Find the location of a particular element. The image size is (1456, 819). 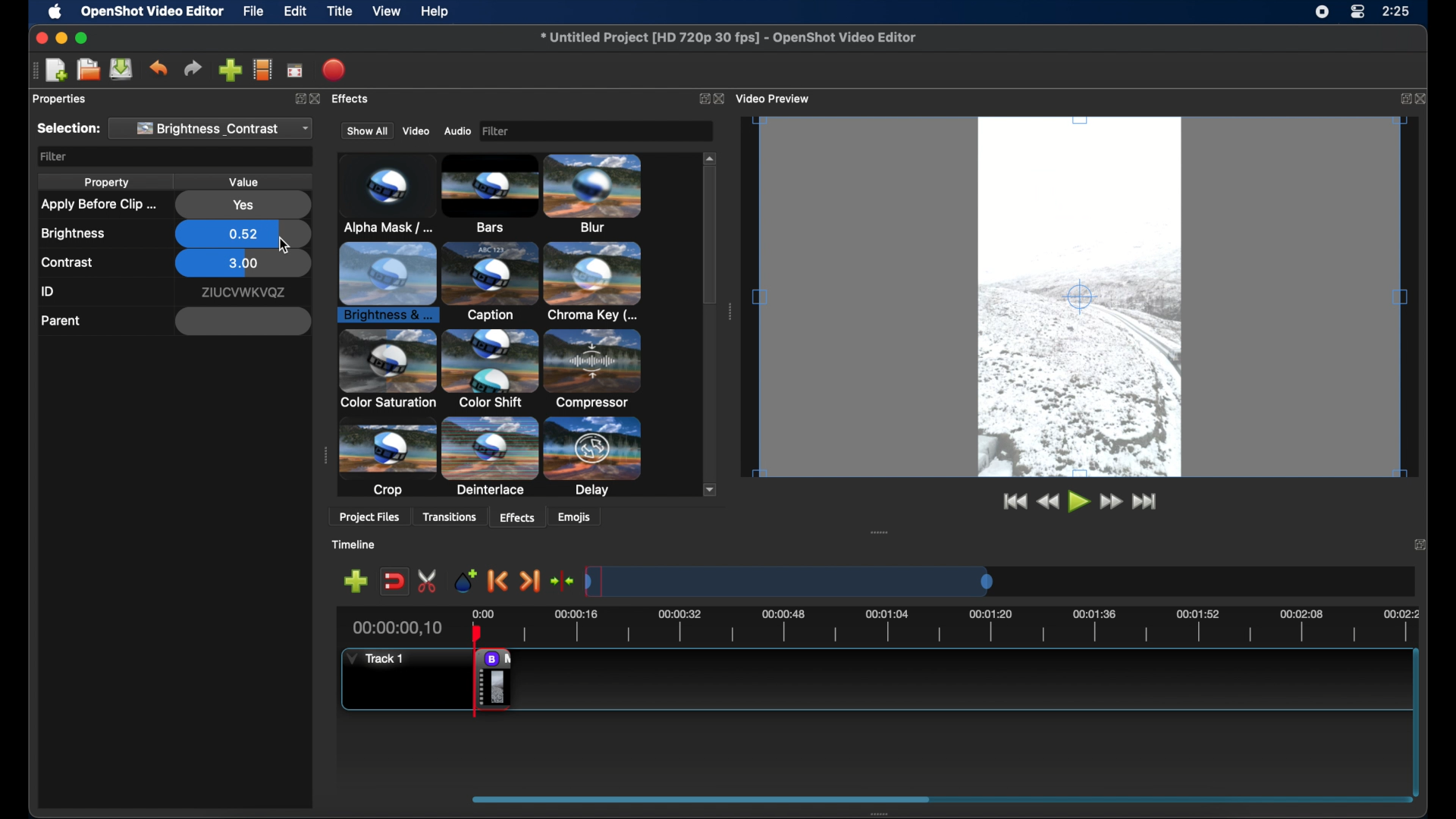

parent is located at coordinates (61, 321).